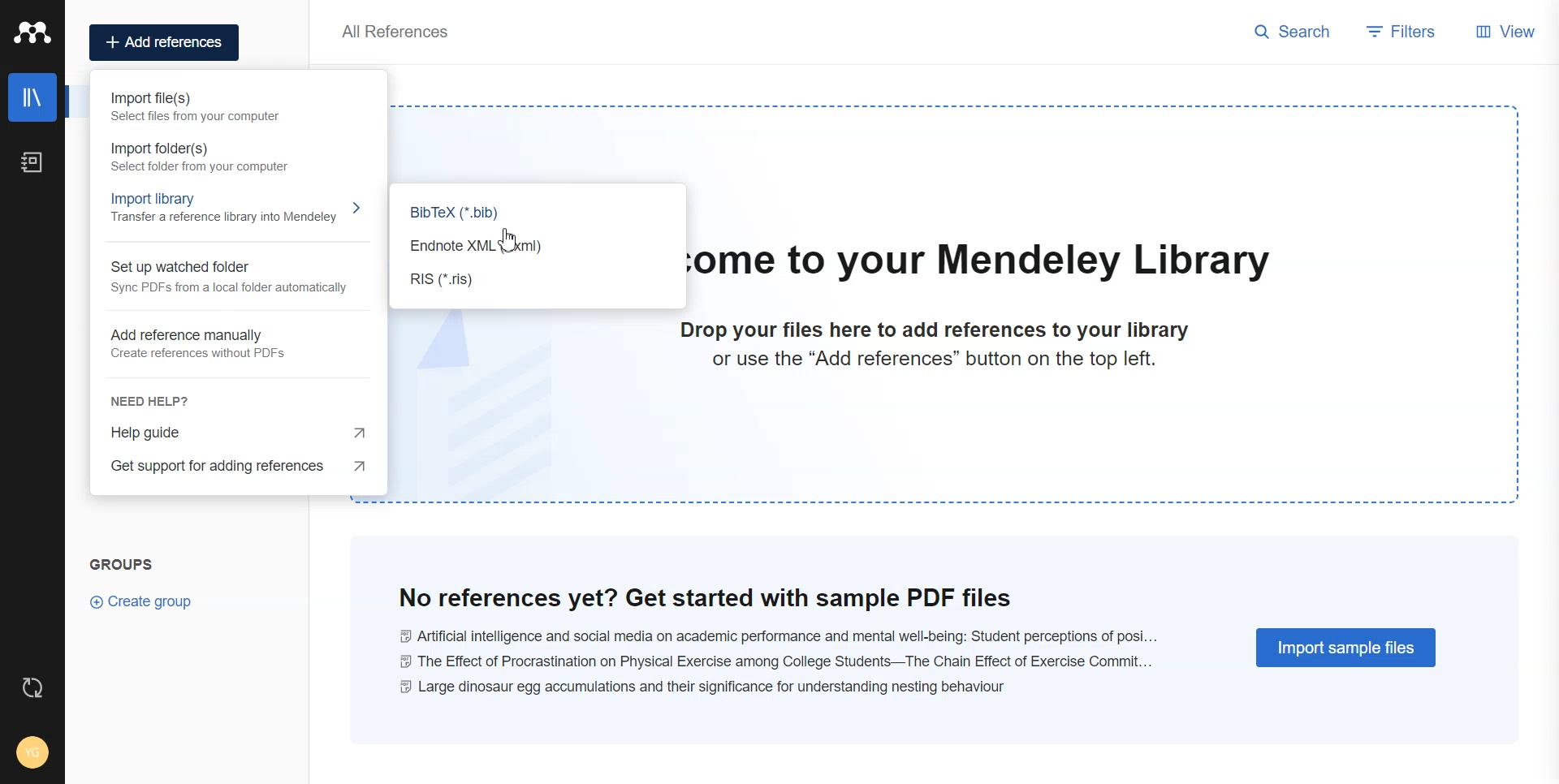 The height and width of the screenshot is (784, 1559). What do you see at coordinates (521, 214) in the screenshot?
I see `BibTex(*.bib)` at bounding box center [521, 214].